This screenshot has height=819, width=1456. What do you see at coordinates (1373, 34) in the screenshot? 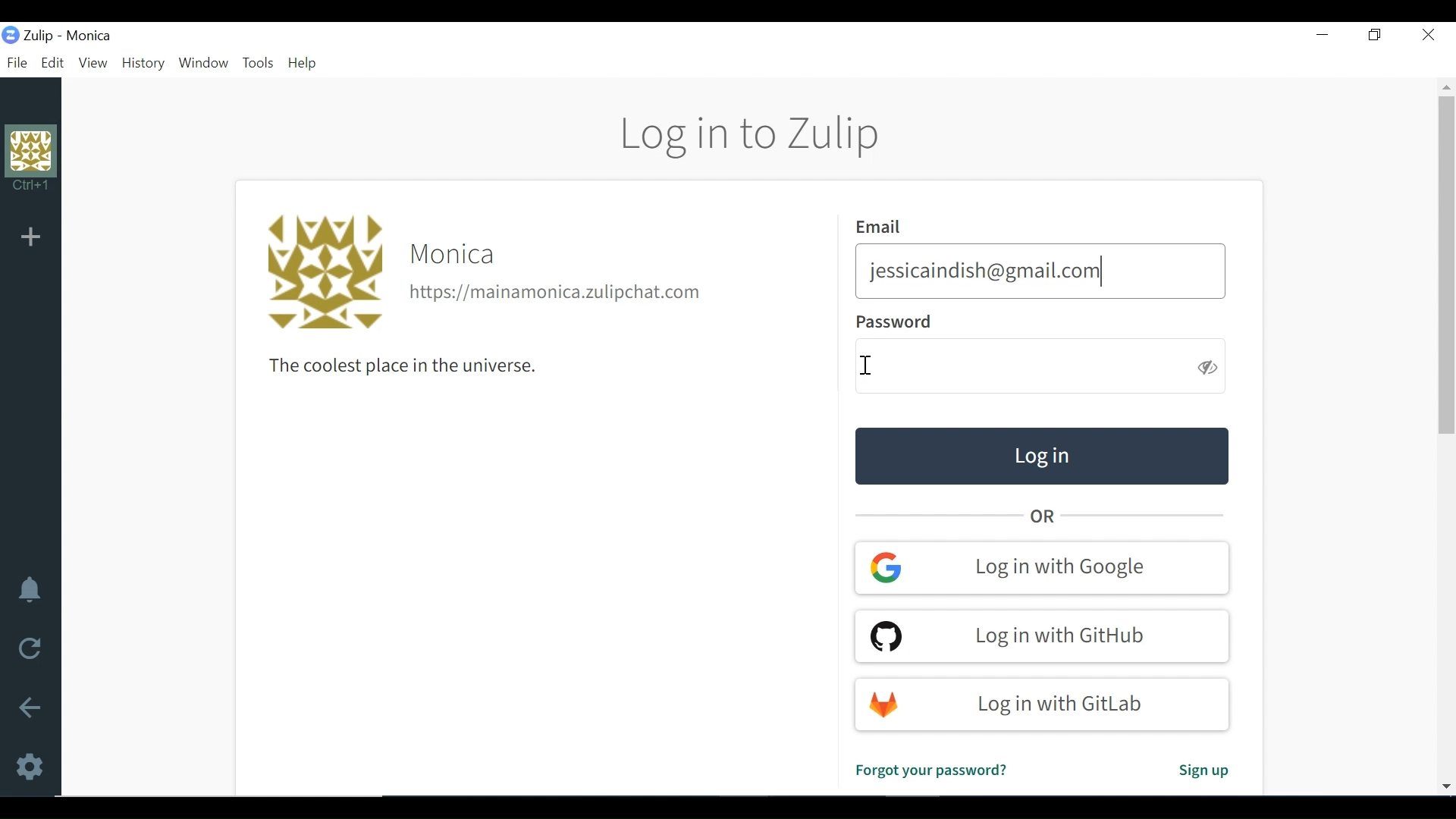
I see `Restore` at bounding box center [1373, 34].